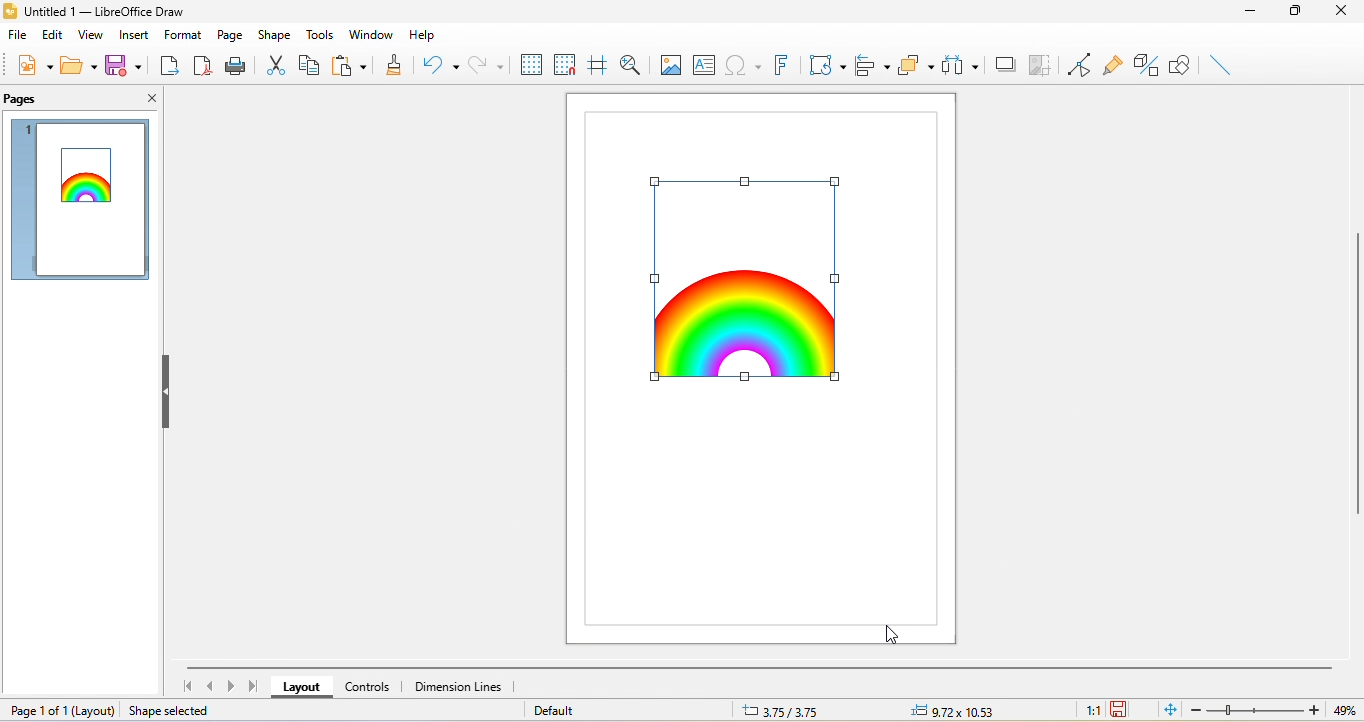 This screenshot has height=722, width=1364. What do you see at coordinates (61, 711) in the screenshot?
I see `page 1 of 1` at bounding box center [61, 711].